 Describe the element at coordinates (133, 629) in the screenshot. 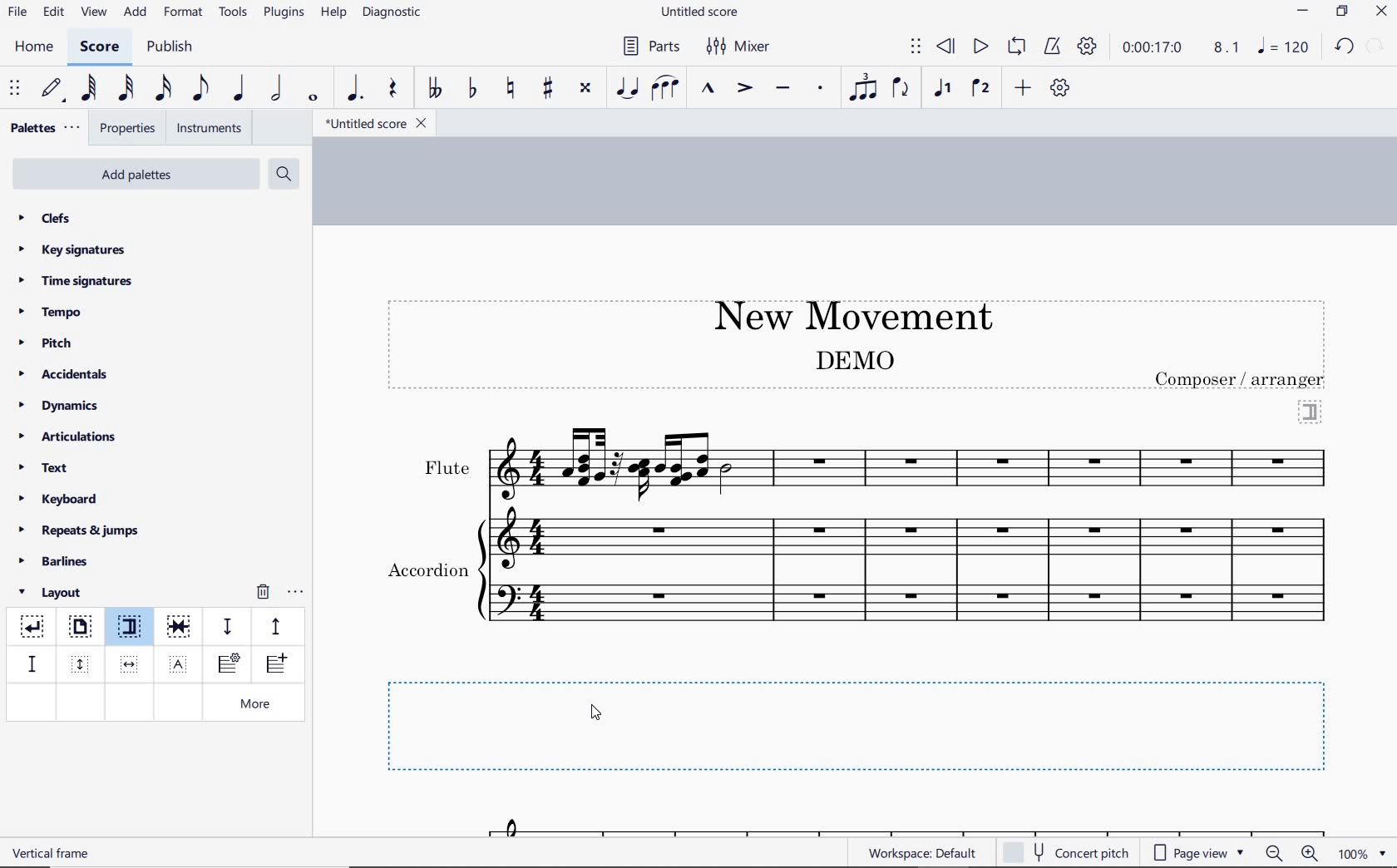

I see `section break` at that location.